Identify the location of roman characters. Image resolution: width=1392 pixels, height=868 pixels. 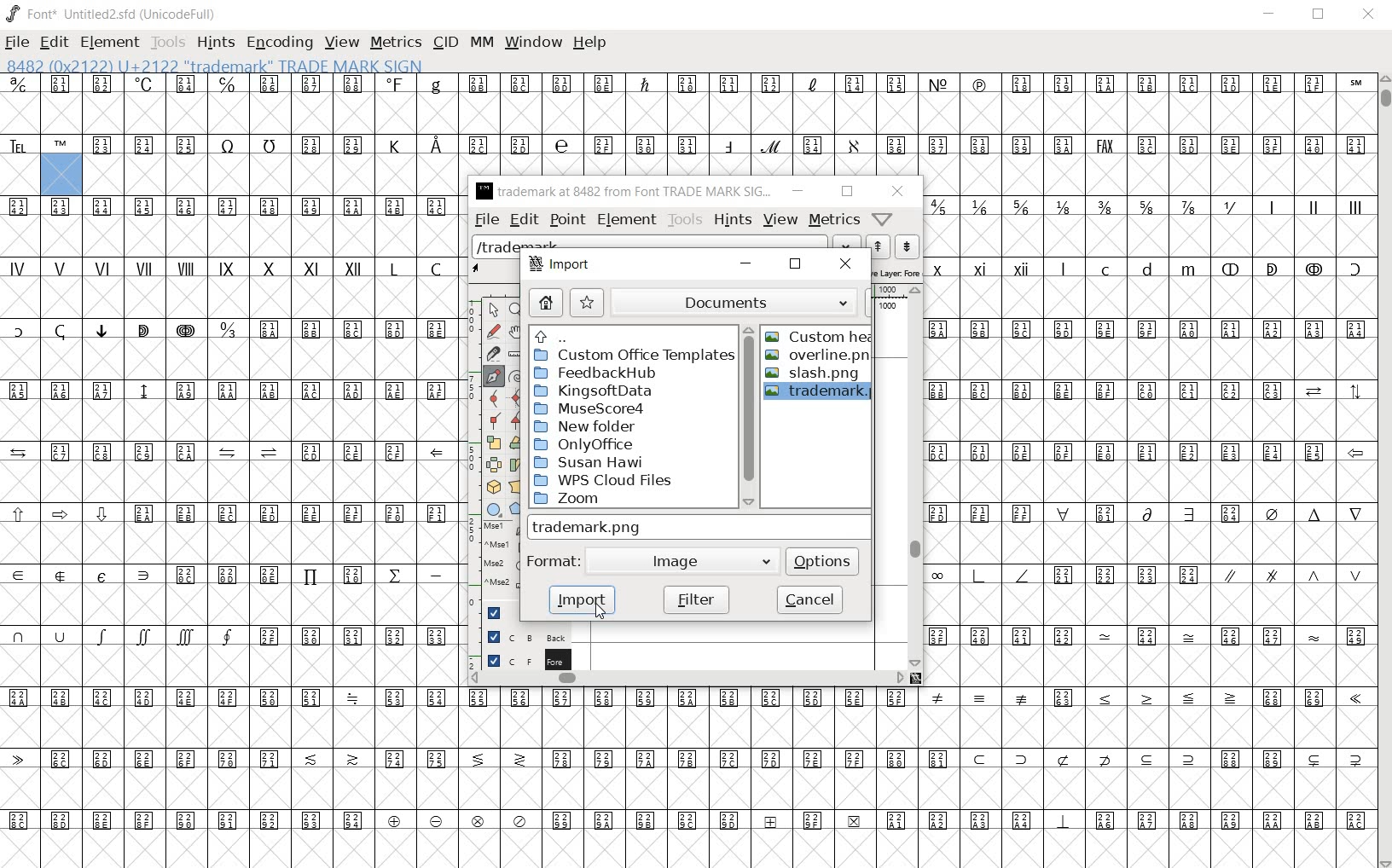
(988, 286).